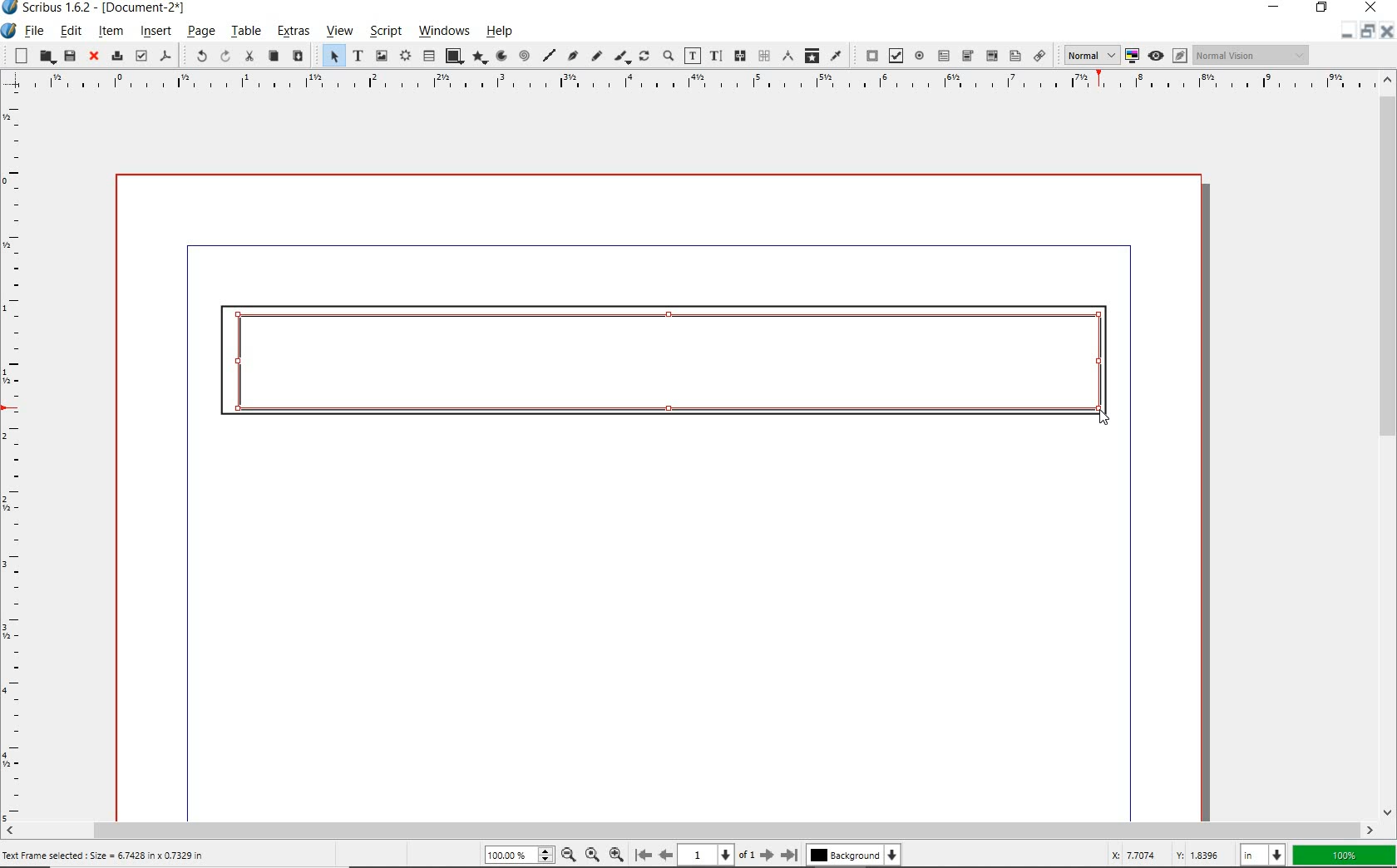 This screenshot has width=1397, height=868. I want to click on save as pdf, so click(166, 57).